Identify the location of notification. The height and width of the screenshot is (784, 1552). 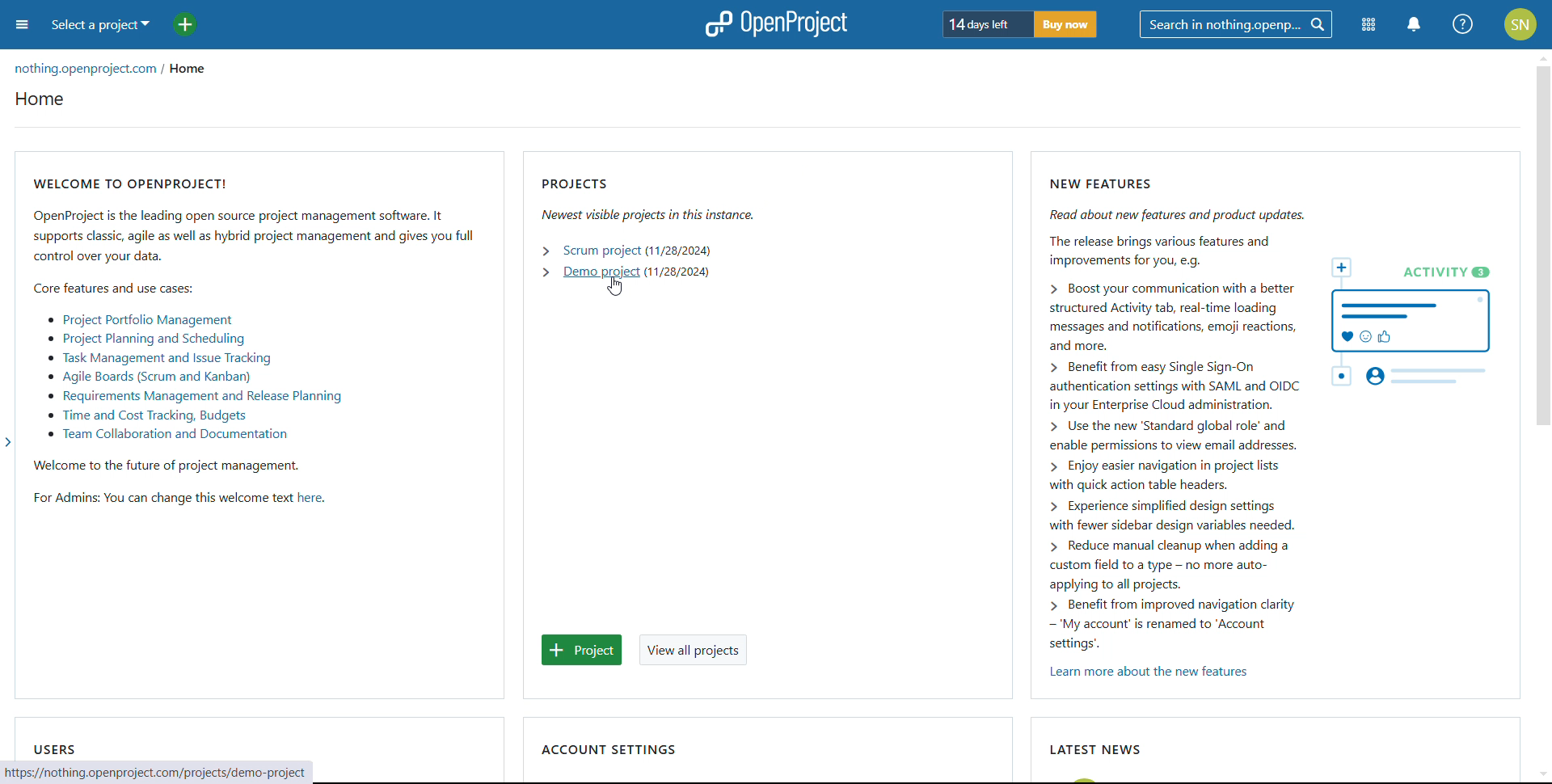
(1413, 25).